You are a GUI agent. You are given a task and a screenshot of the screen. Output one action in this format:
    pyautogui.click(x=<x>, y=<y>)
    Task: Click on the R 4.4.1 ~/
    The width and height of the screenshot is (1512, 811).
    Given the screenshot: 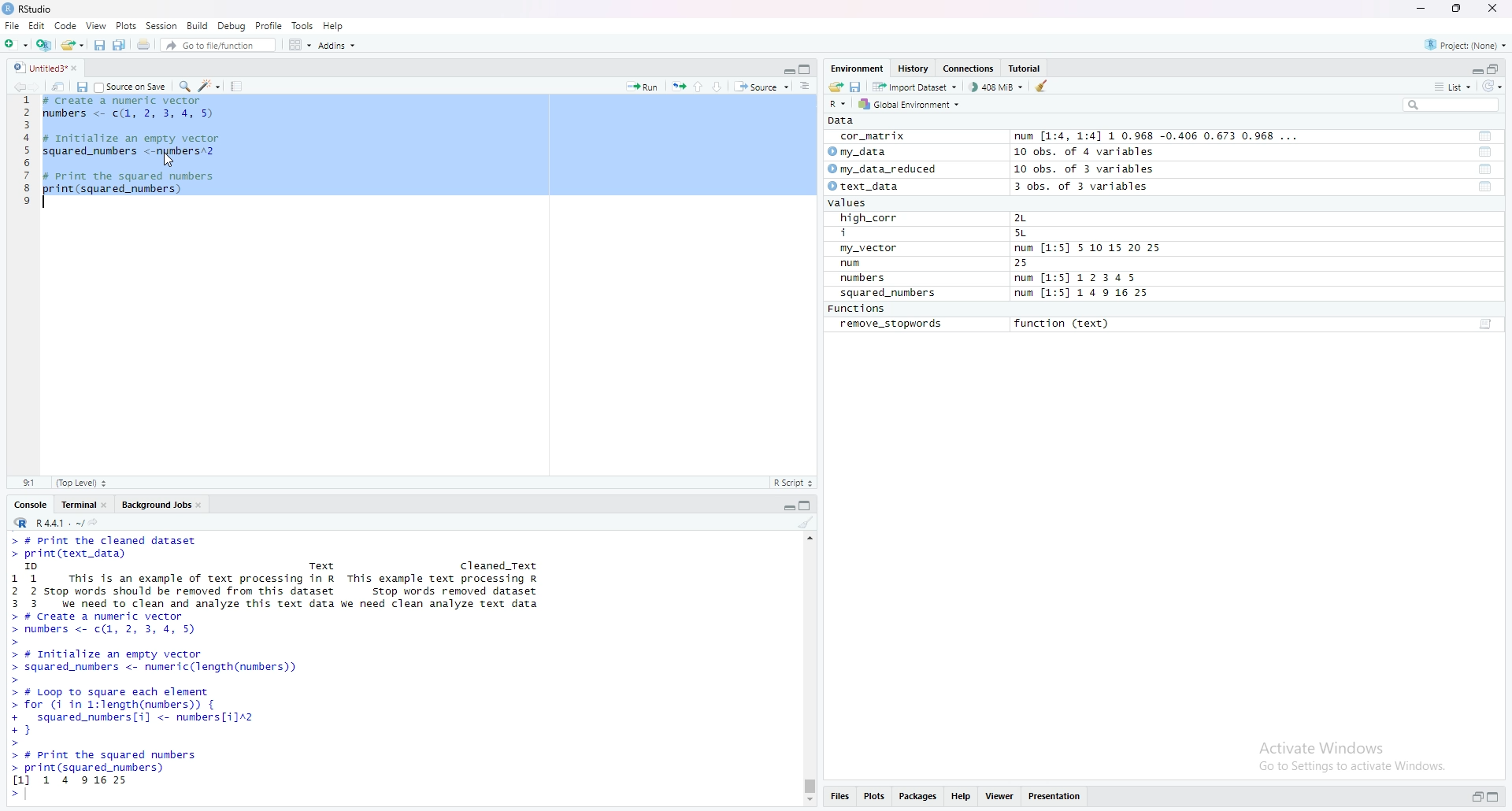 What is the action you would take?
    pyautogui.click(x=46, y=521)
    